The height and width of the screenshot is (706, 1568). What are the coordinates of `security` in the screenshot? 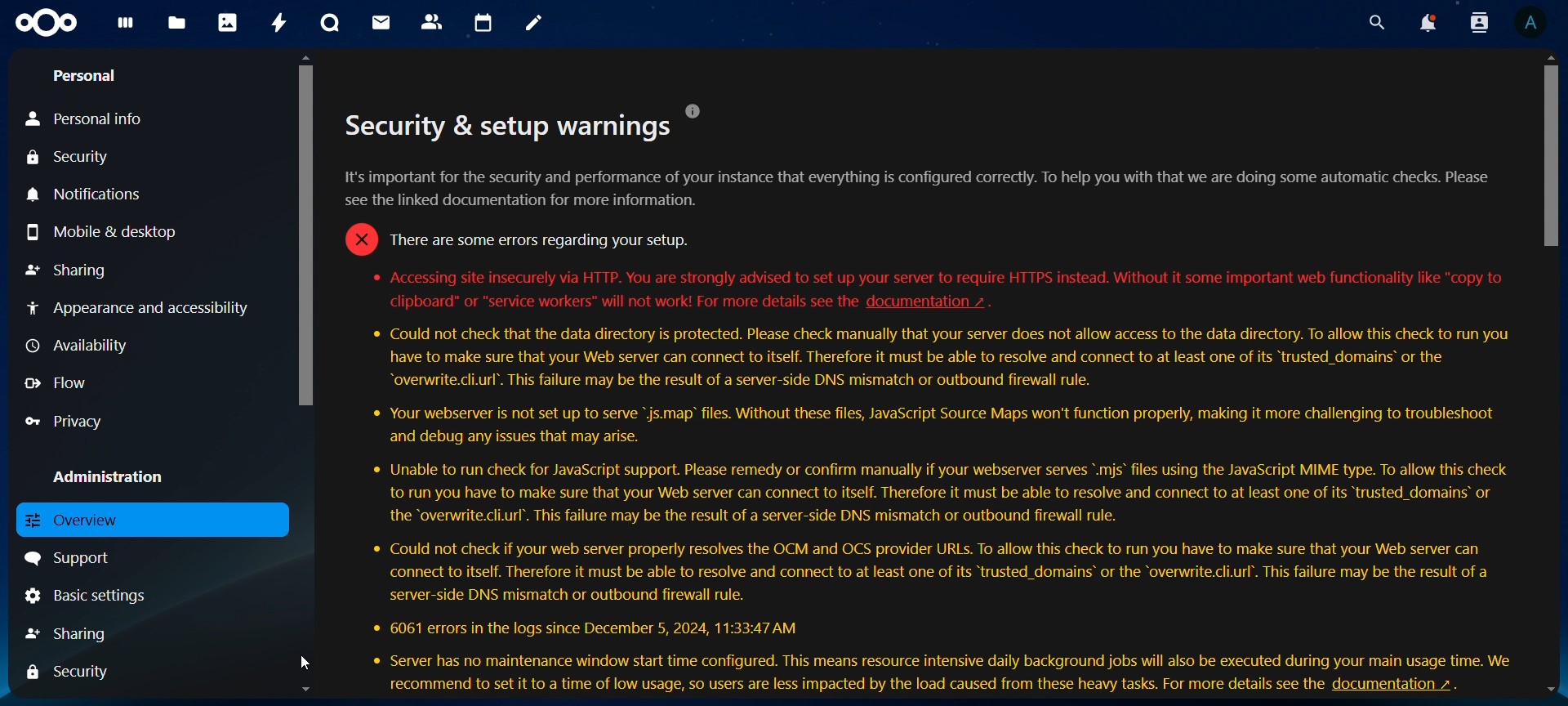 It's located at (70, 159).